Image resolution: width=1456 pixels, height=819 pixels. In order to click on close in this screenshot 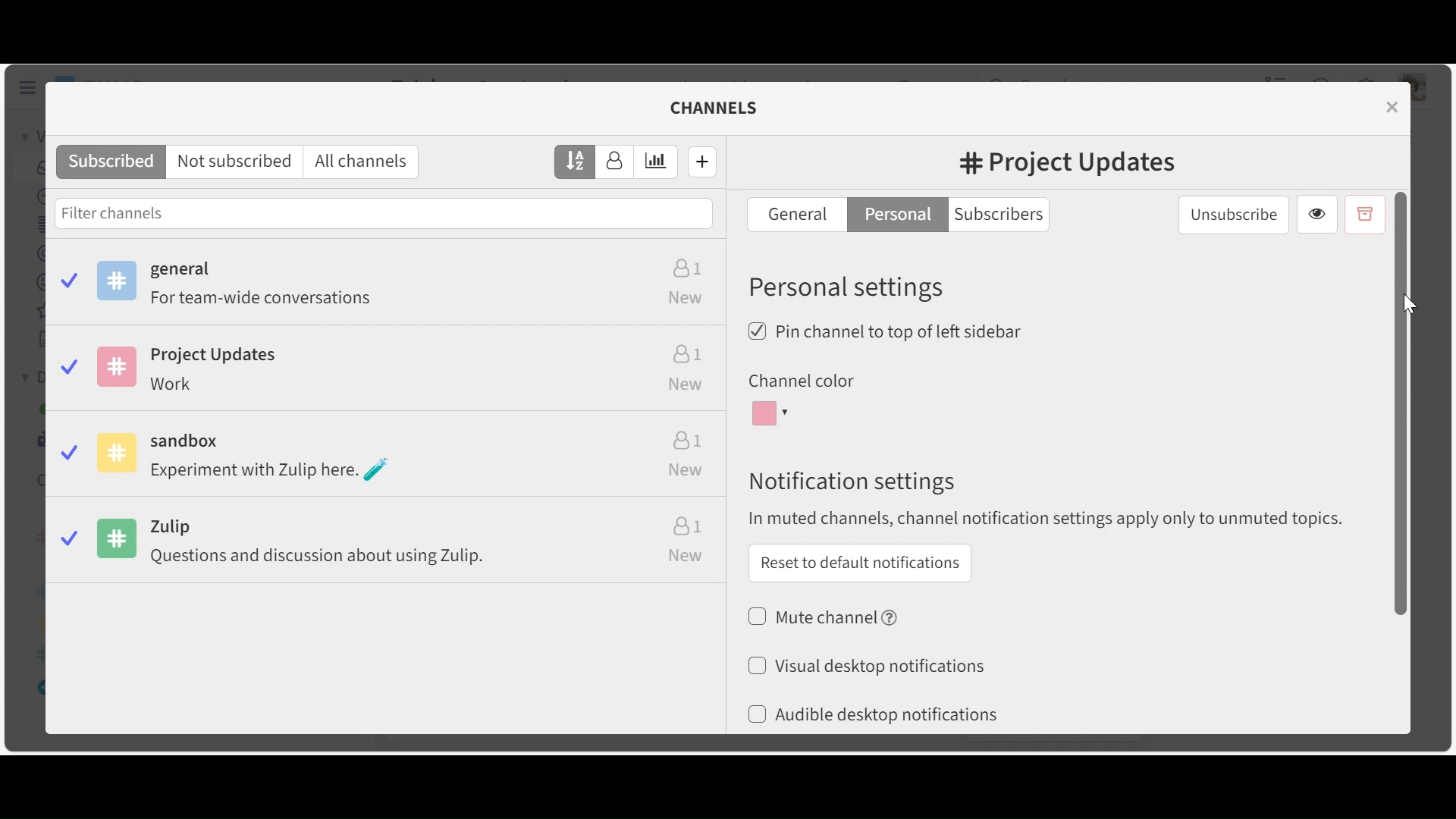, I will do `click(1395, 106)`.